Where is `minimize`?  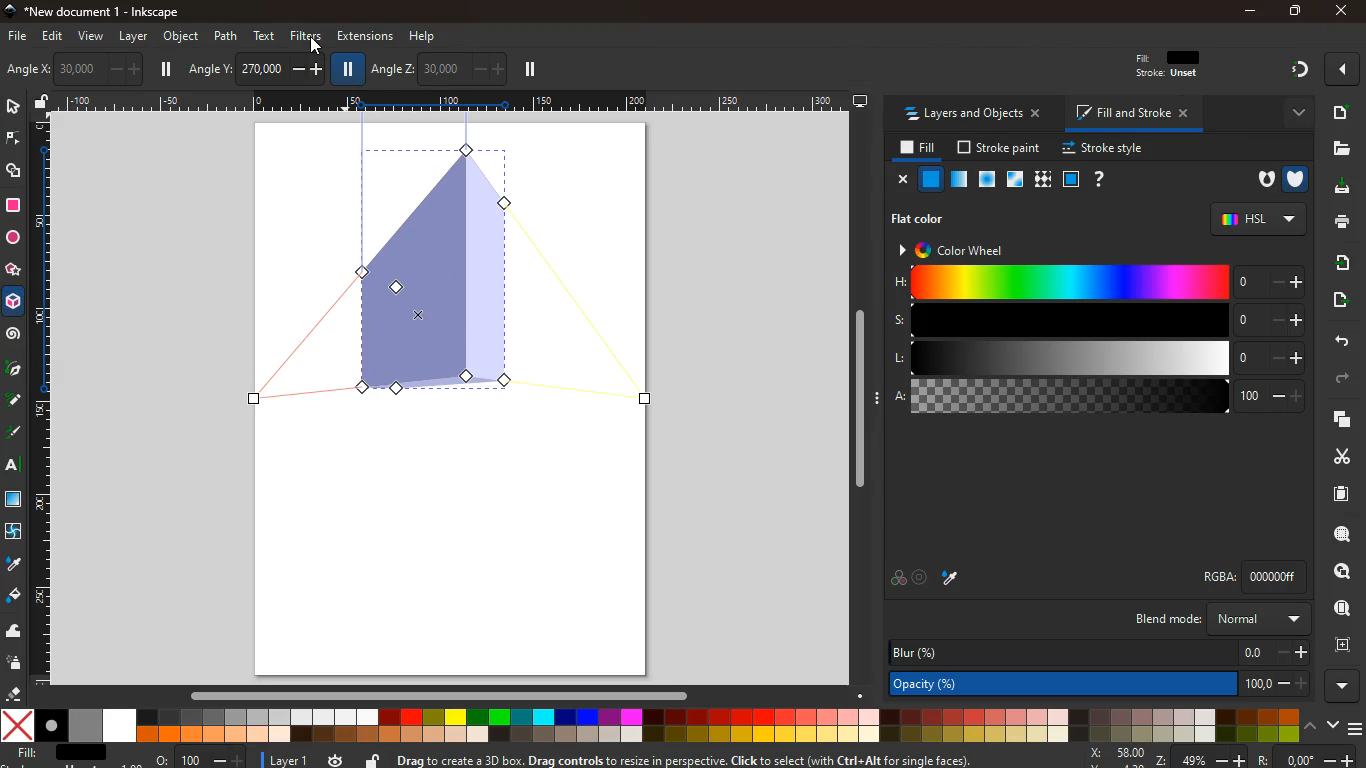 minimize is located at coordinates (1250, 11).